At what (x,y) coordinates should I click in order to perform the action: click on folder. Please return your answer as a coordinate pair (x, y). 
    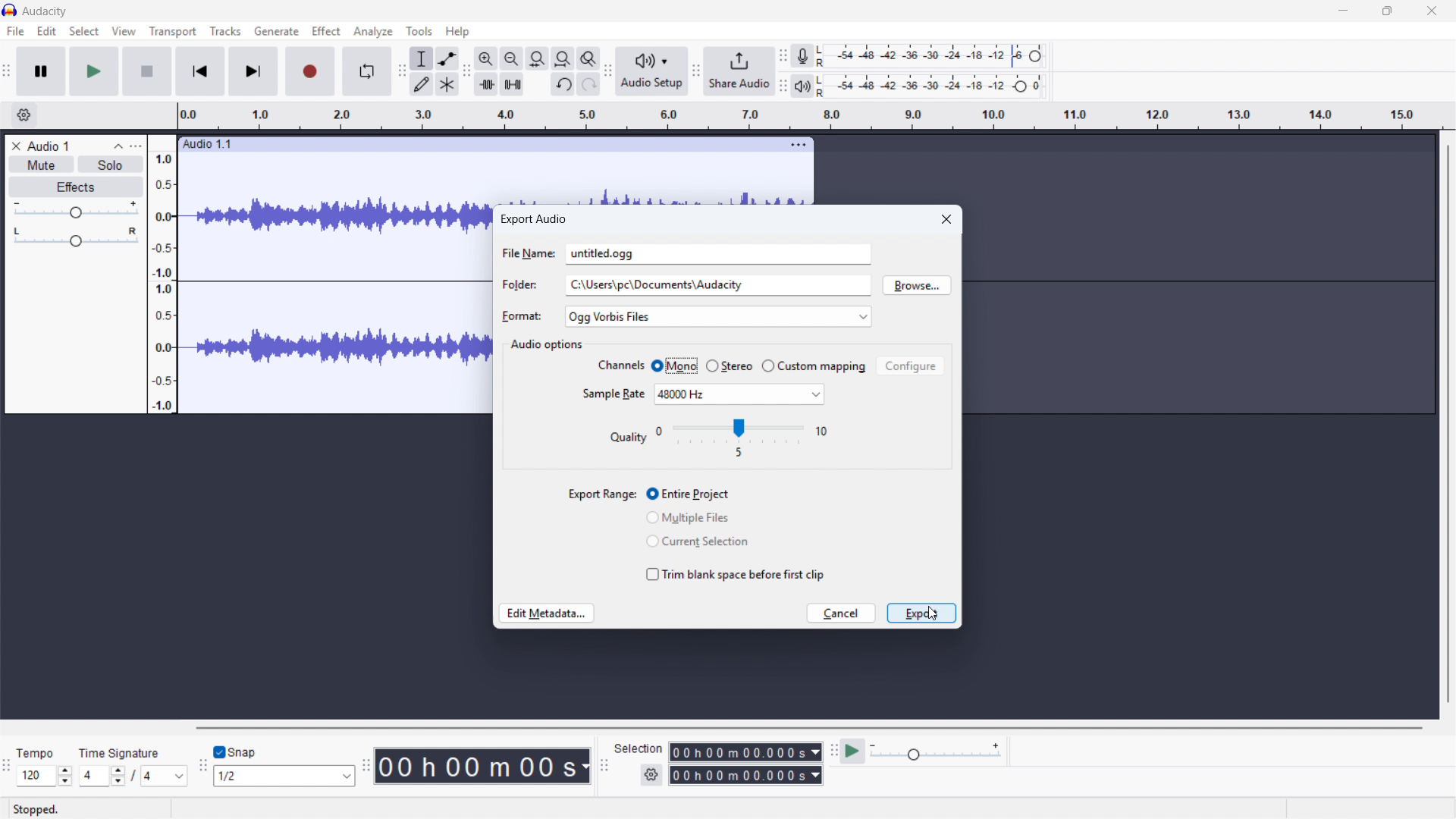
    Looking at the image, I should click on (519, 287).